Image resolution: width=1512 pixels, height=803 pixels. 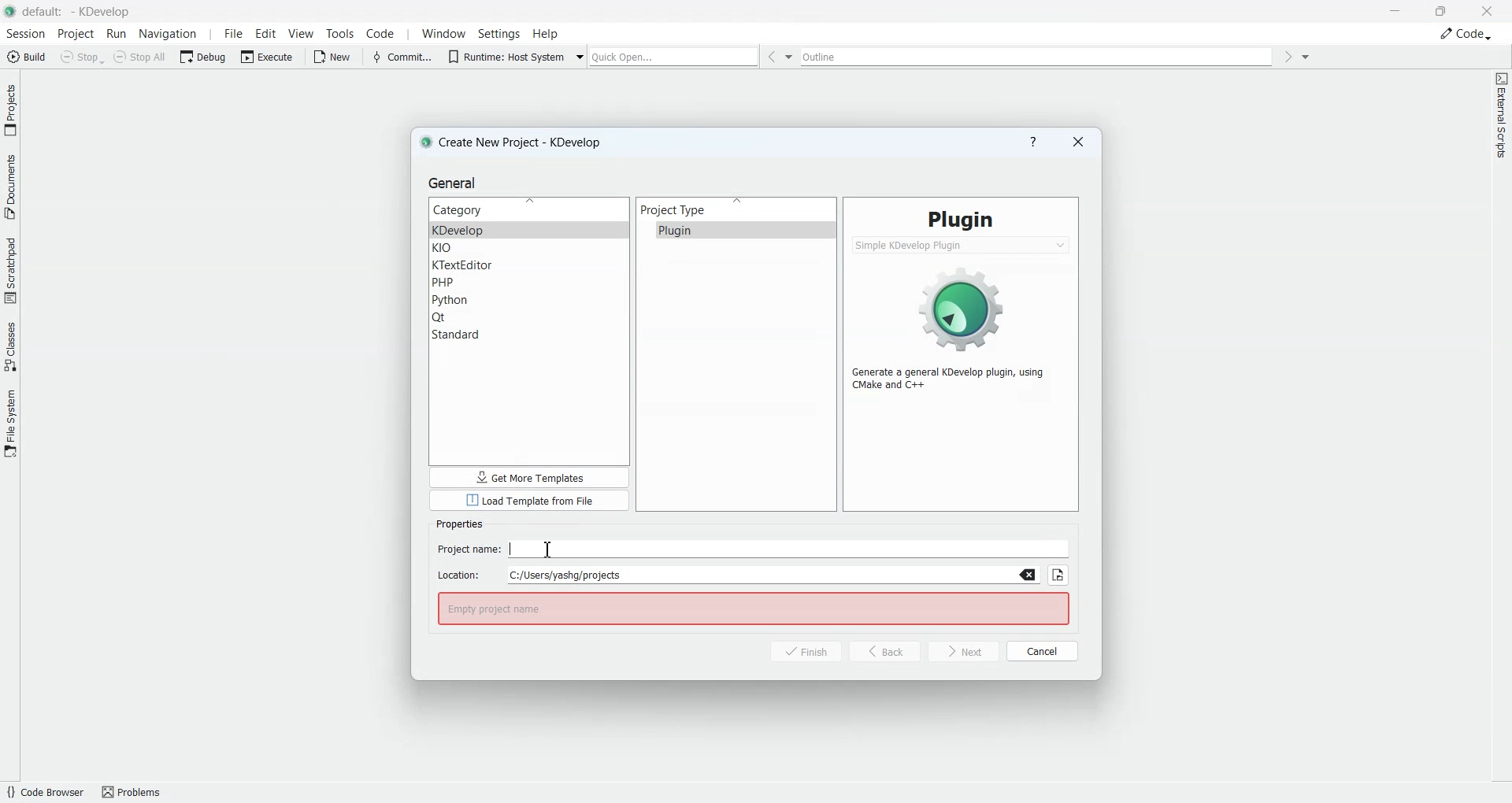 I want to click on Documents, so click(x=10, y=185).